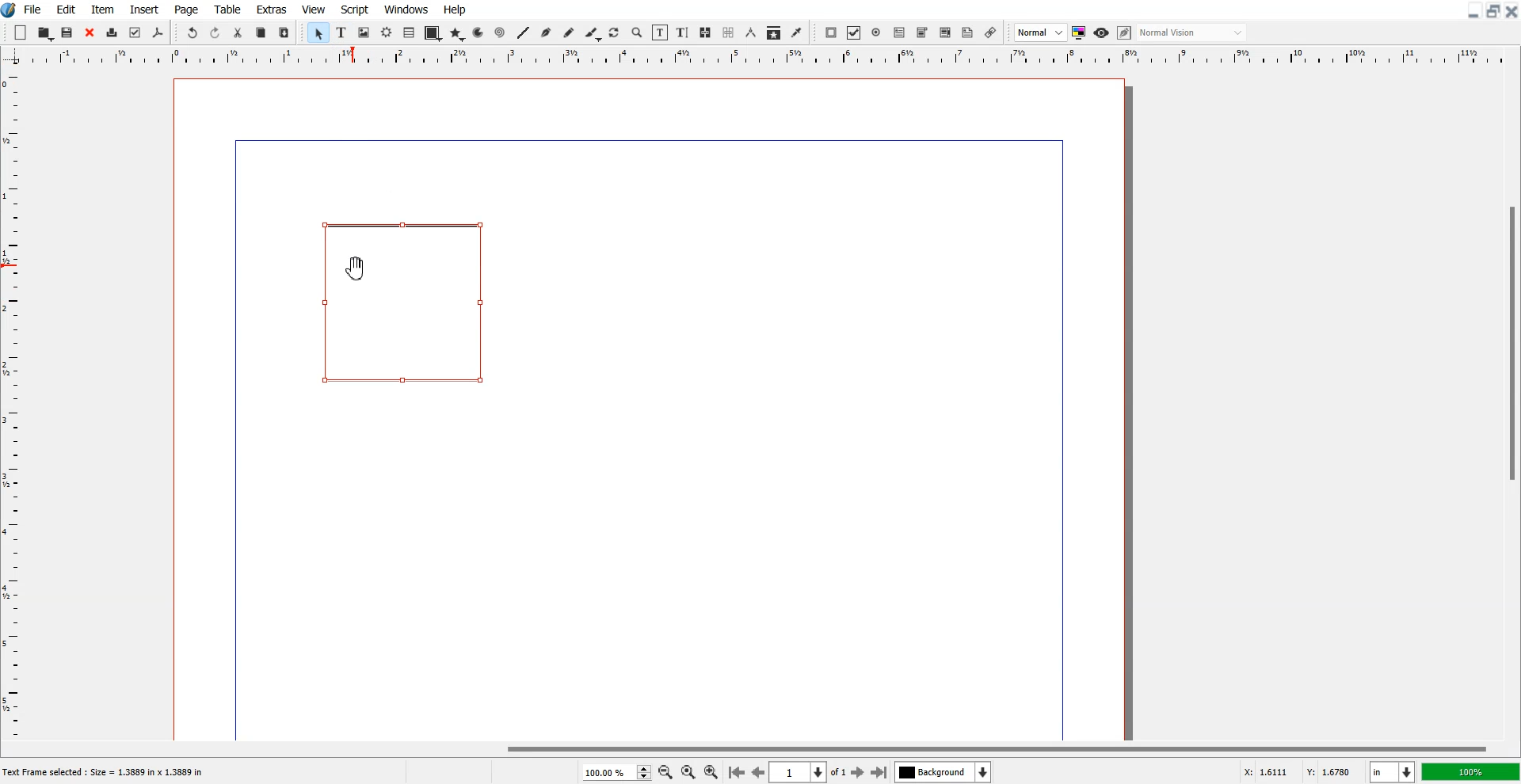  Describe the element at coordinates (569, 33) in the screenshot. I see `Freehand line ` at that location.